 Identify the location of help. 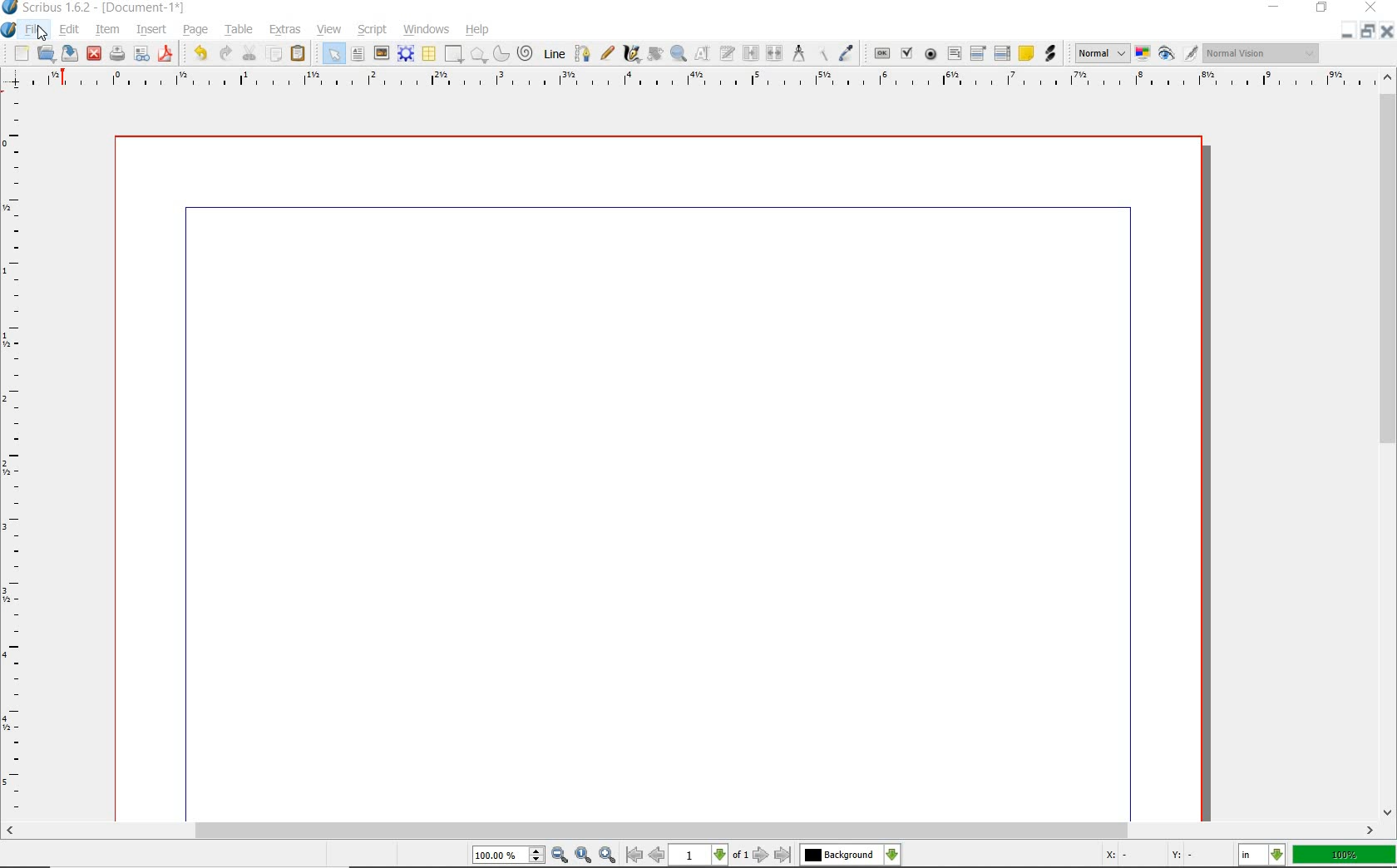
(479, 29).